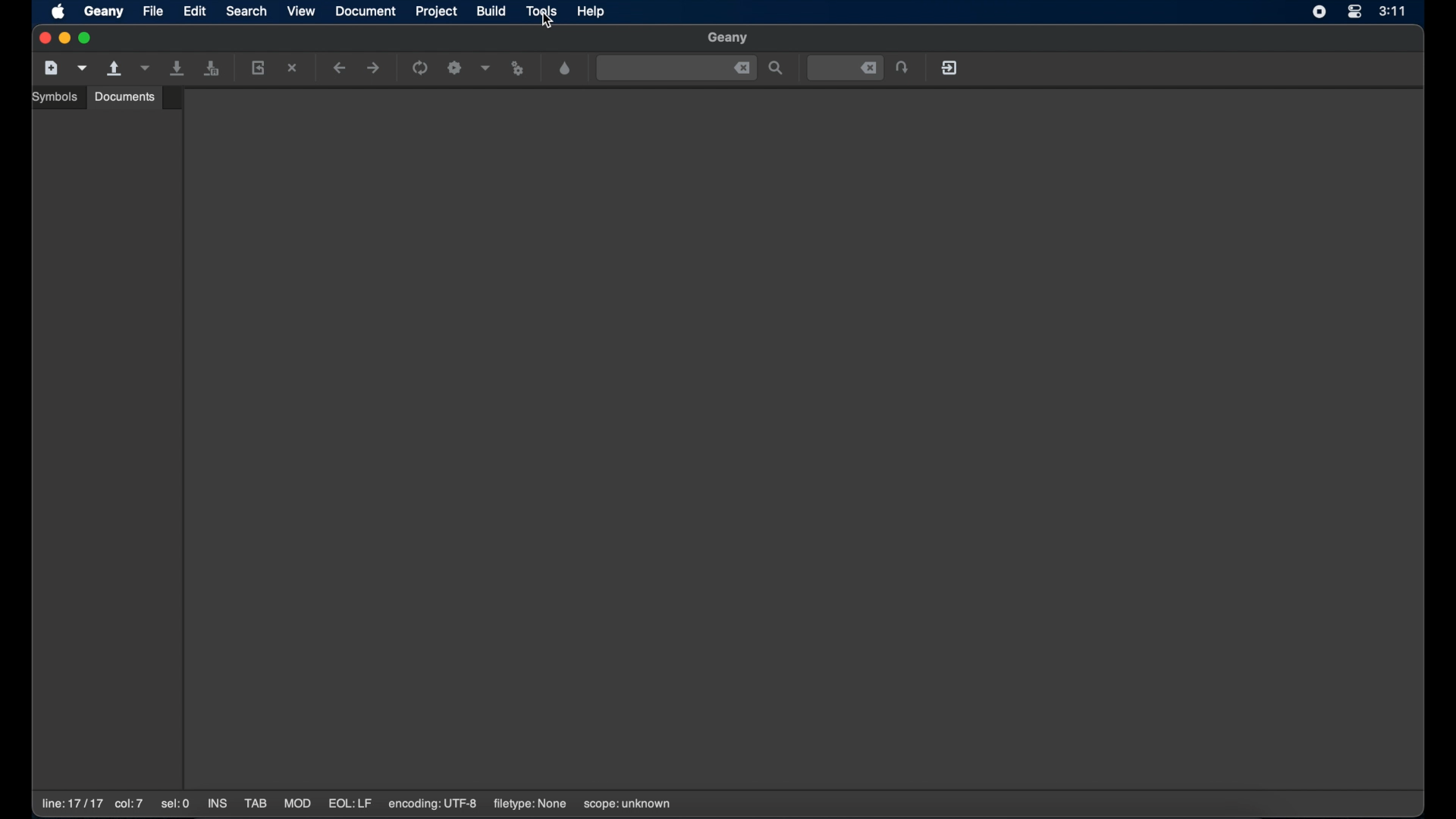 This screenshot has width=1456, height=819. I want to click on filetype: none, so click(529, 804).